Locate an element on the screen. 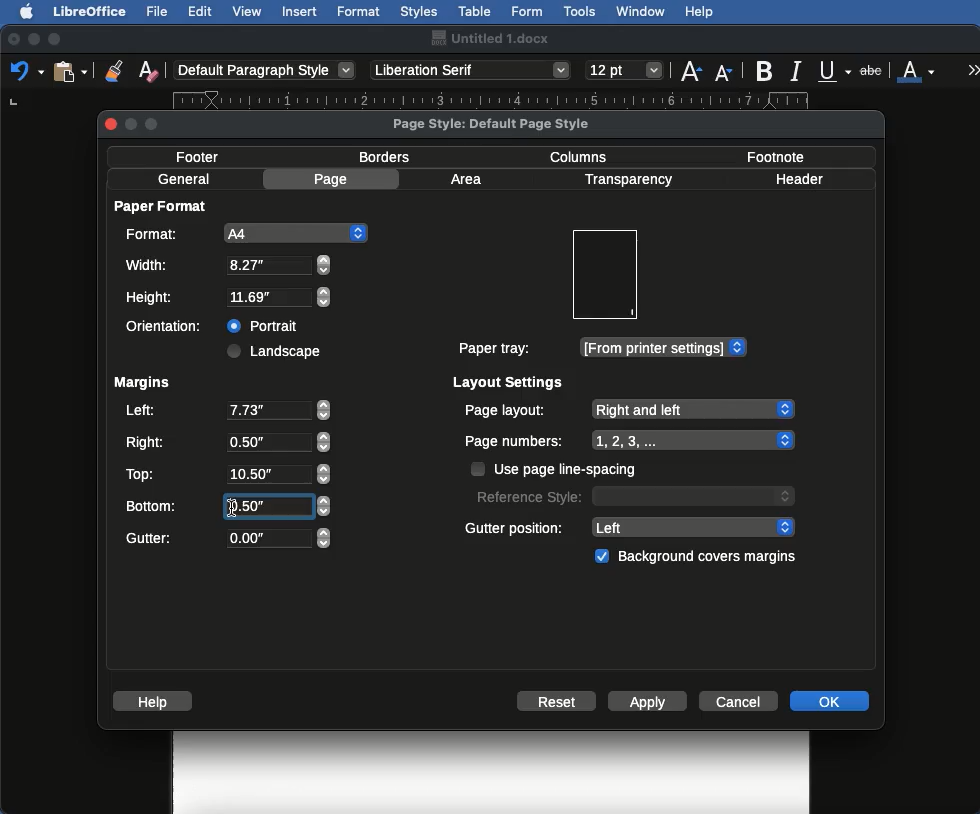  Width is located at coordinates (227, 265).